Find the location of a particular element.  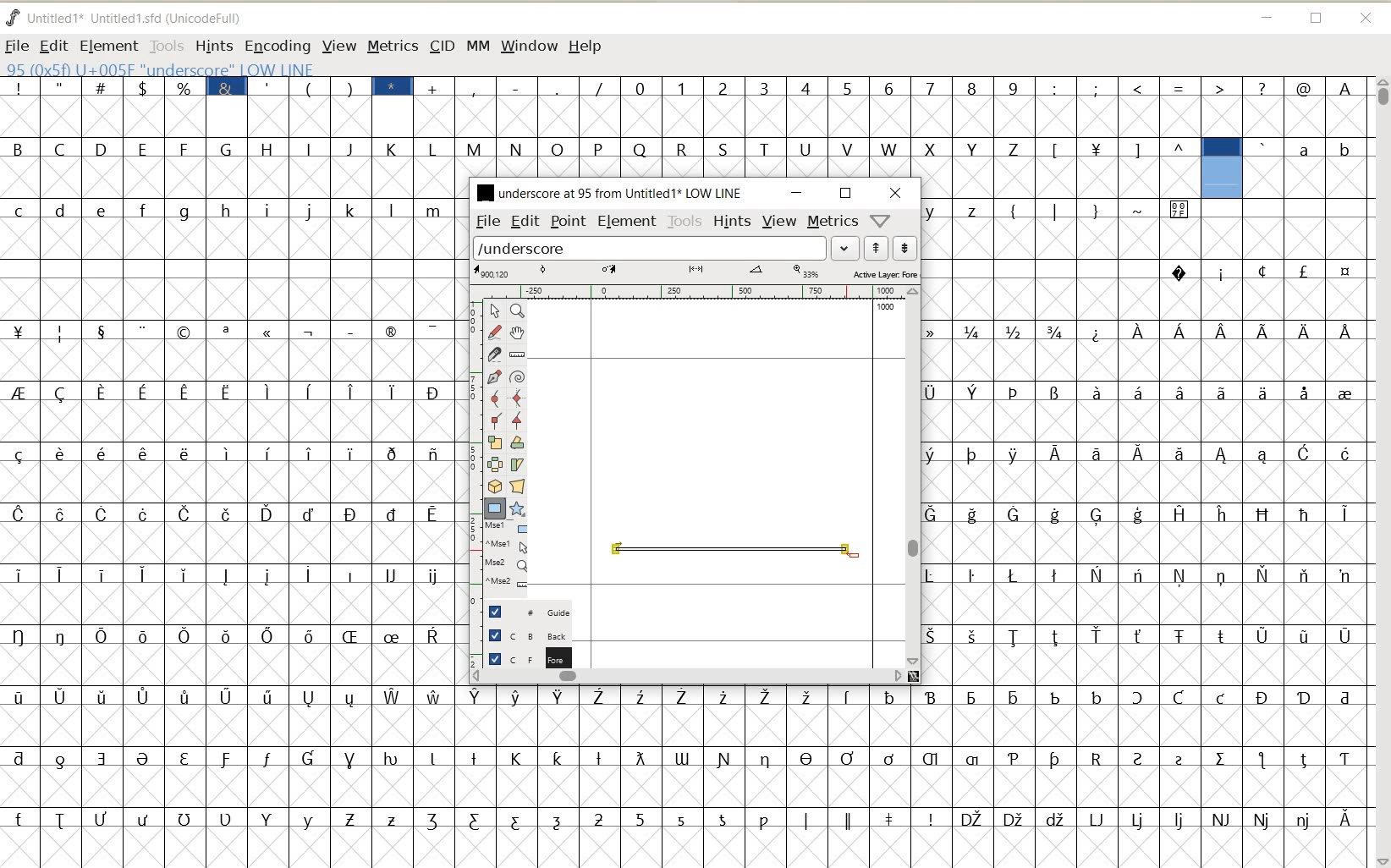

polygon or star is located at coordinates (516, 508).